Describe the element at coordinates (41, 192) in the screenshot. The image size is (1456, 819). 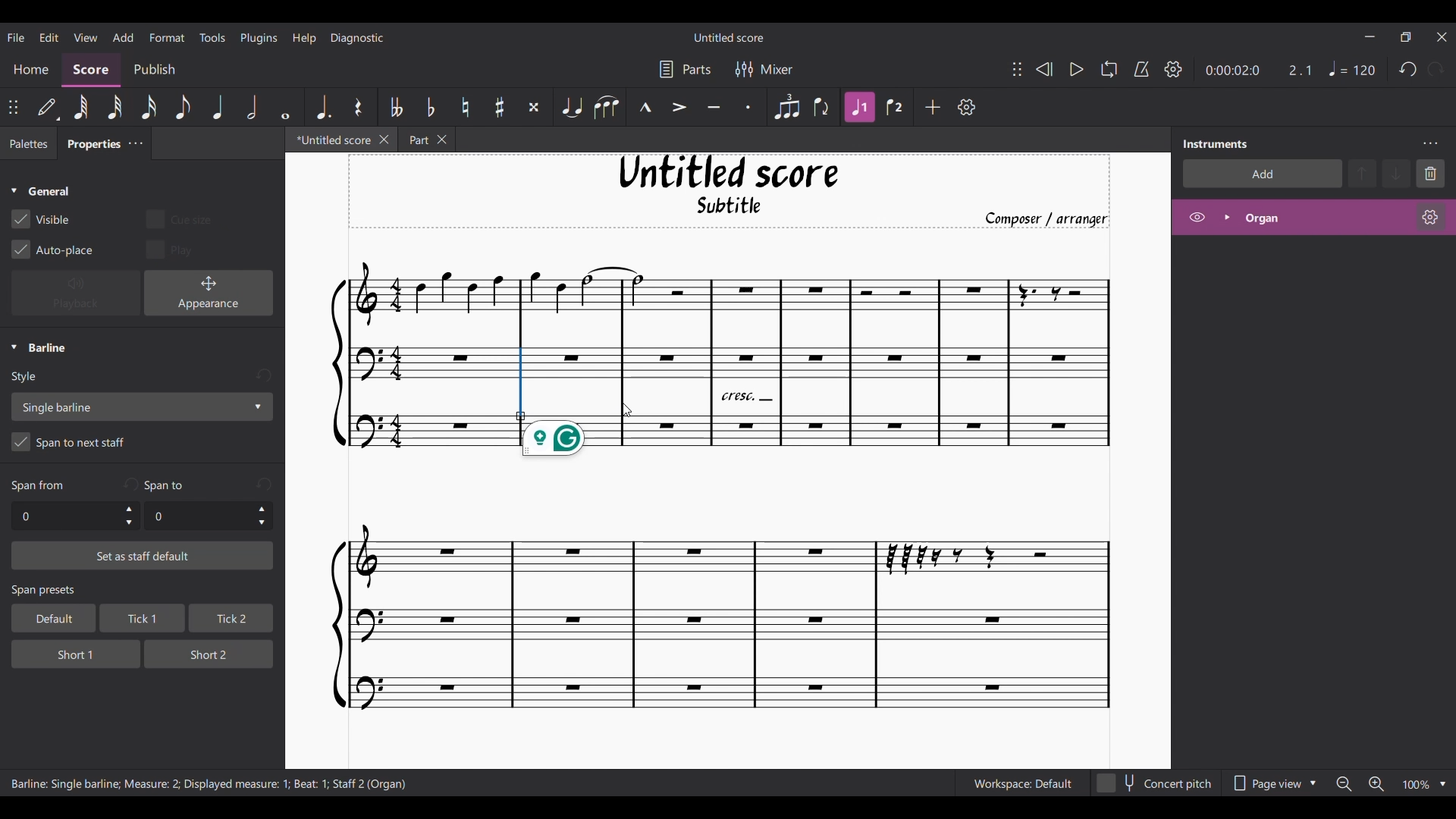
I see `Collapse General` at that location.